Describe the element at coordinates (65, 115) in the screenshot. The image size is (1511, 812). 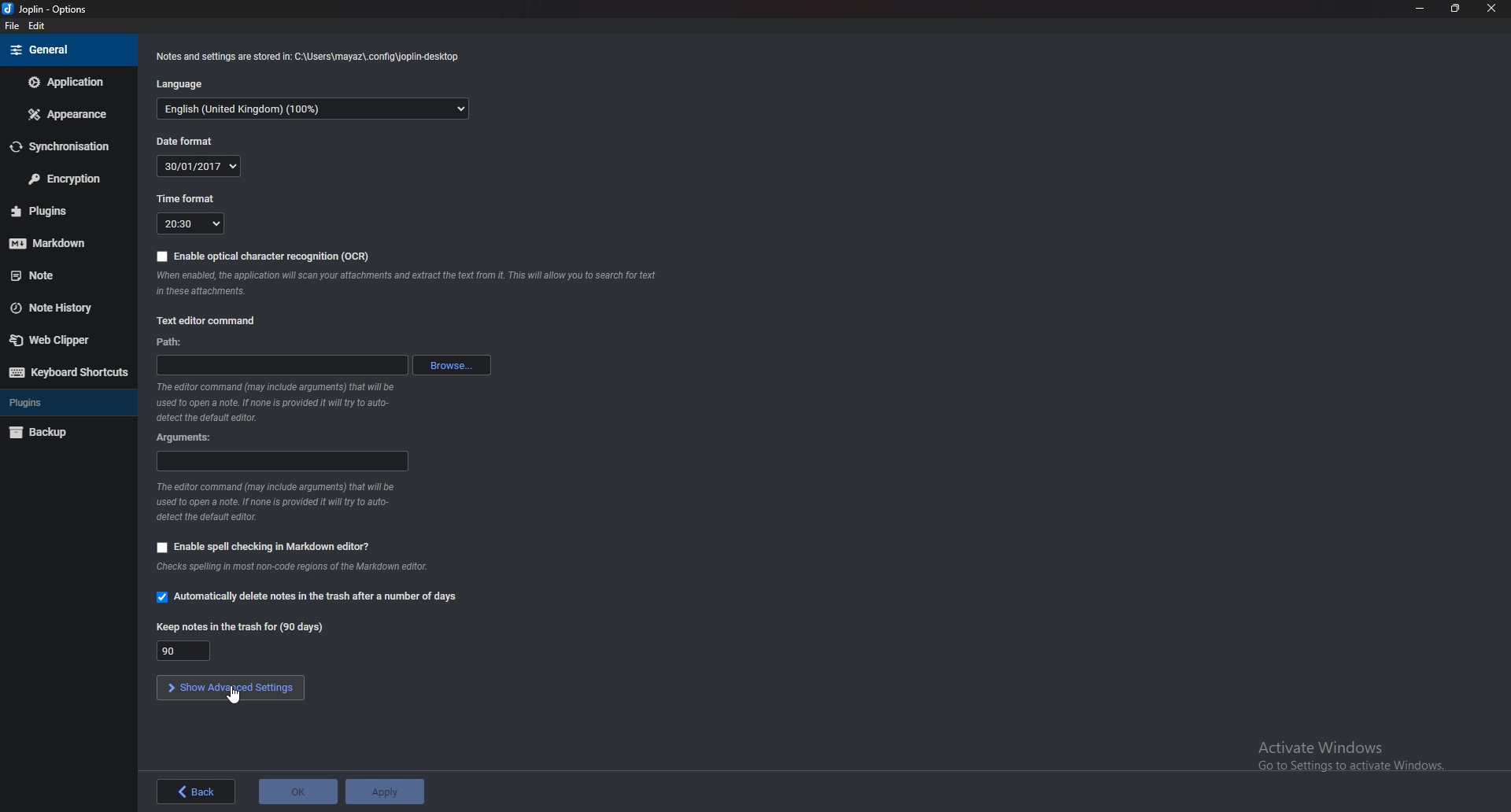
I see `Appearance` at that location.